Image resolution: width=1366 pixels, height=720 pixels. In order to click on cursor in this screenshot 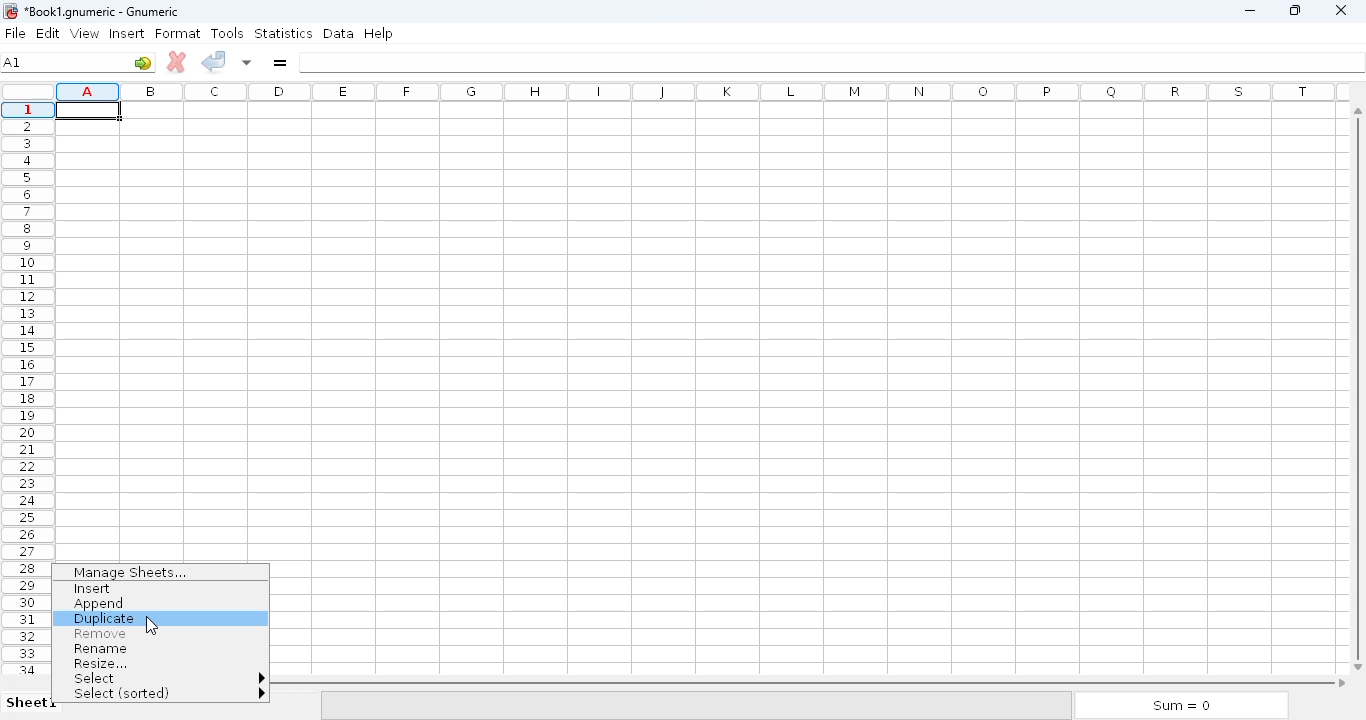, I will do `click(150, 625)`.